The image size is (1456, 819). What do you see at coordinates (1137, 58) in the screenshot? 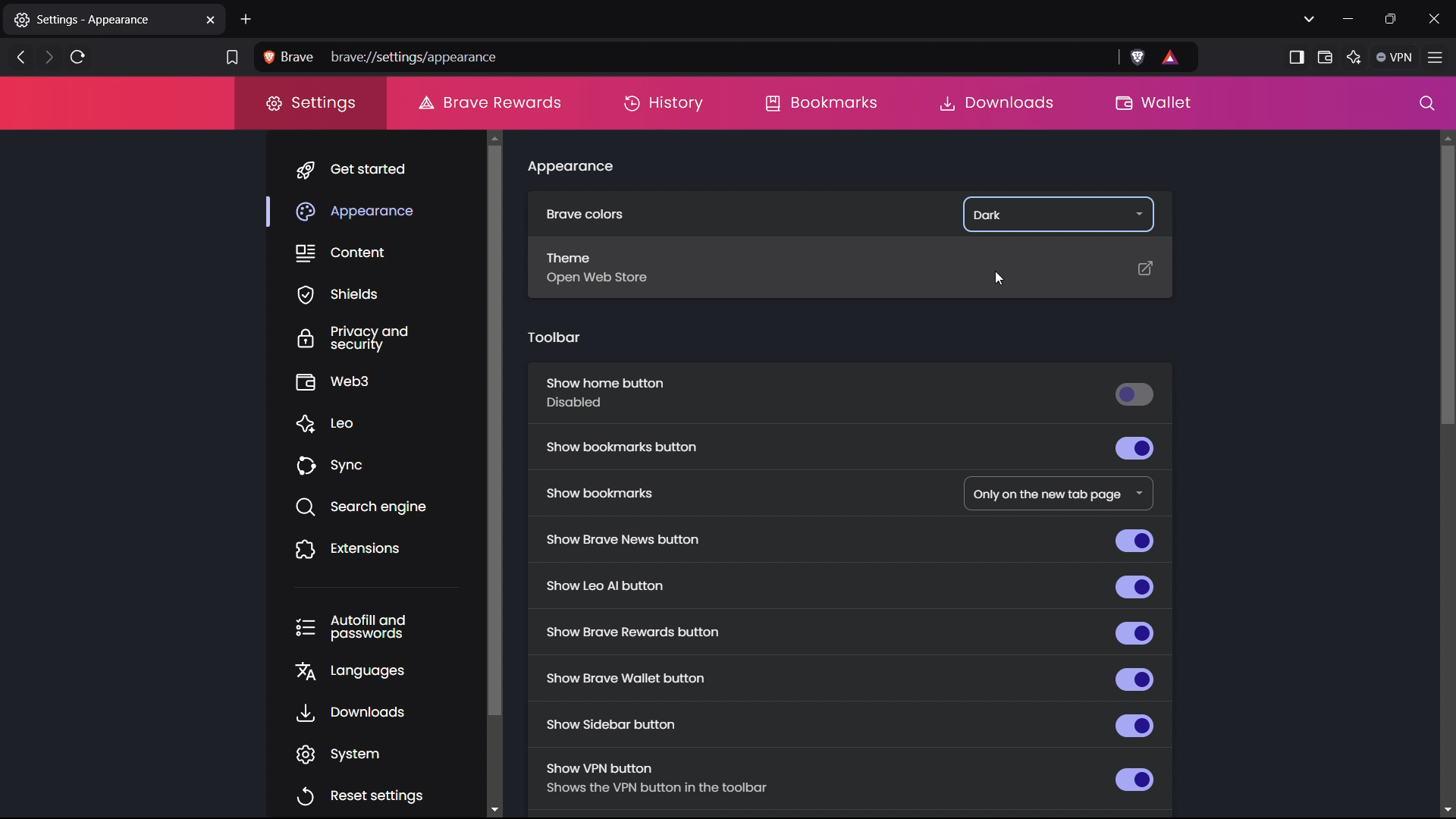
I see `brave shield` at bounding box center [1137, 58].